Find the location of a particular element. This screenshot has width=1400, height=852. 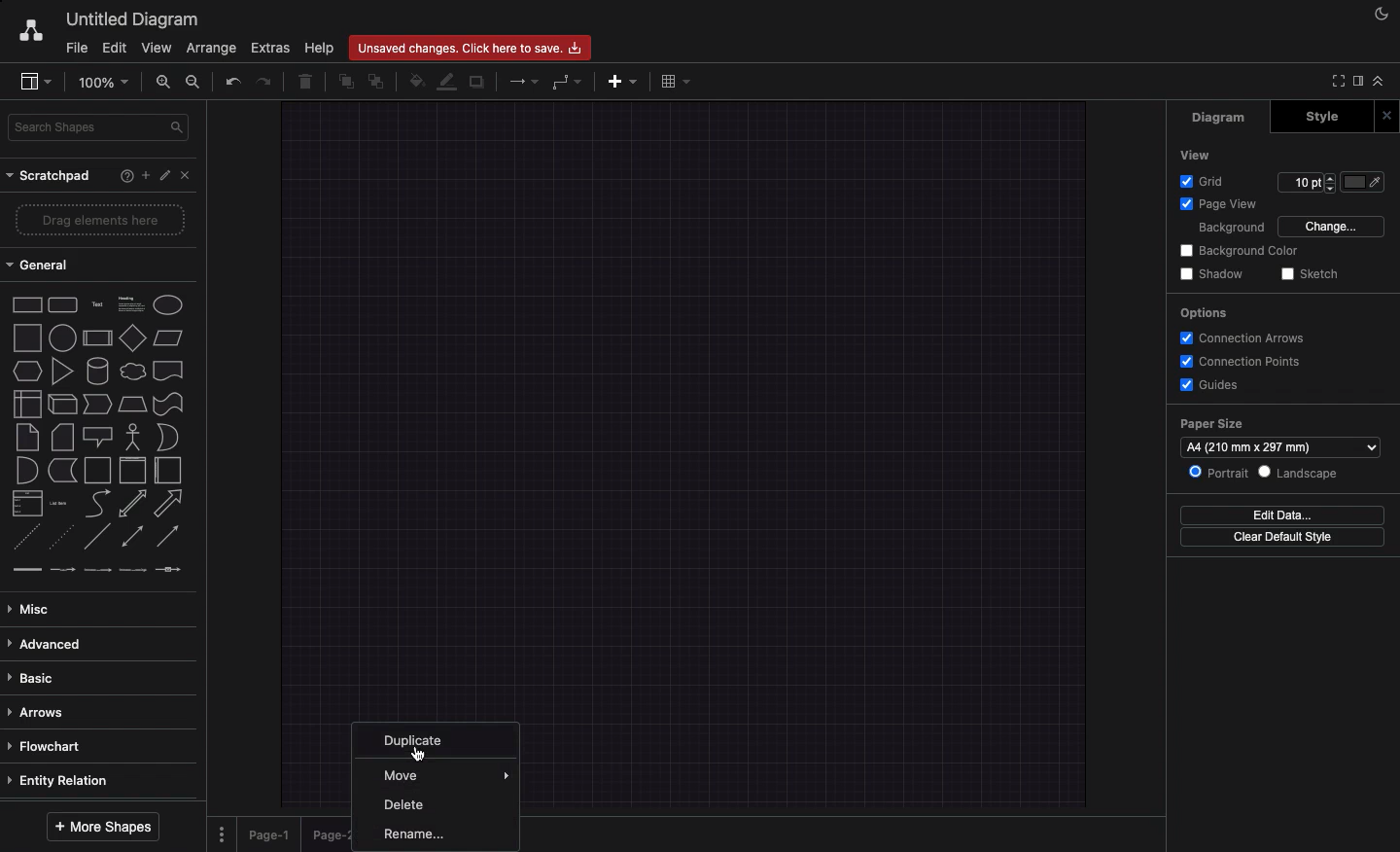

Connection arrows is located at coordinates (1245, 336).